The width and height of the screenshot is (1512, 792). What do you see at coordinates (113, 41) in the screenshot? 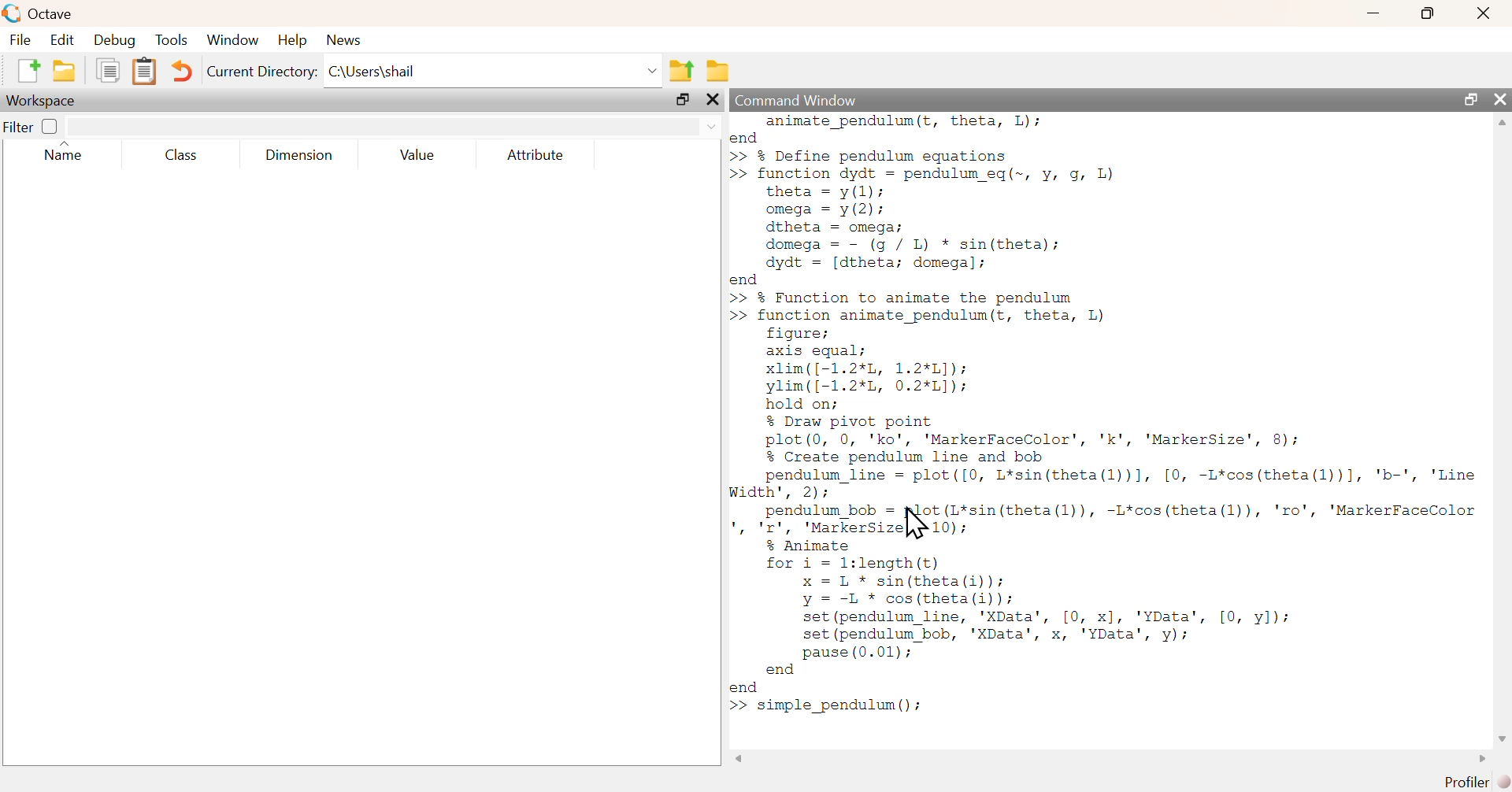
I see `Debug` at bounding box center [113, 41].